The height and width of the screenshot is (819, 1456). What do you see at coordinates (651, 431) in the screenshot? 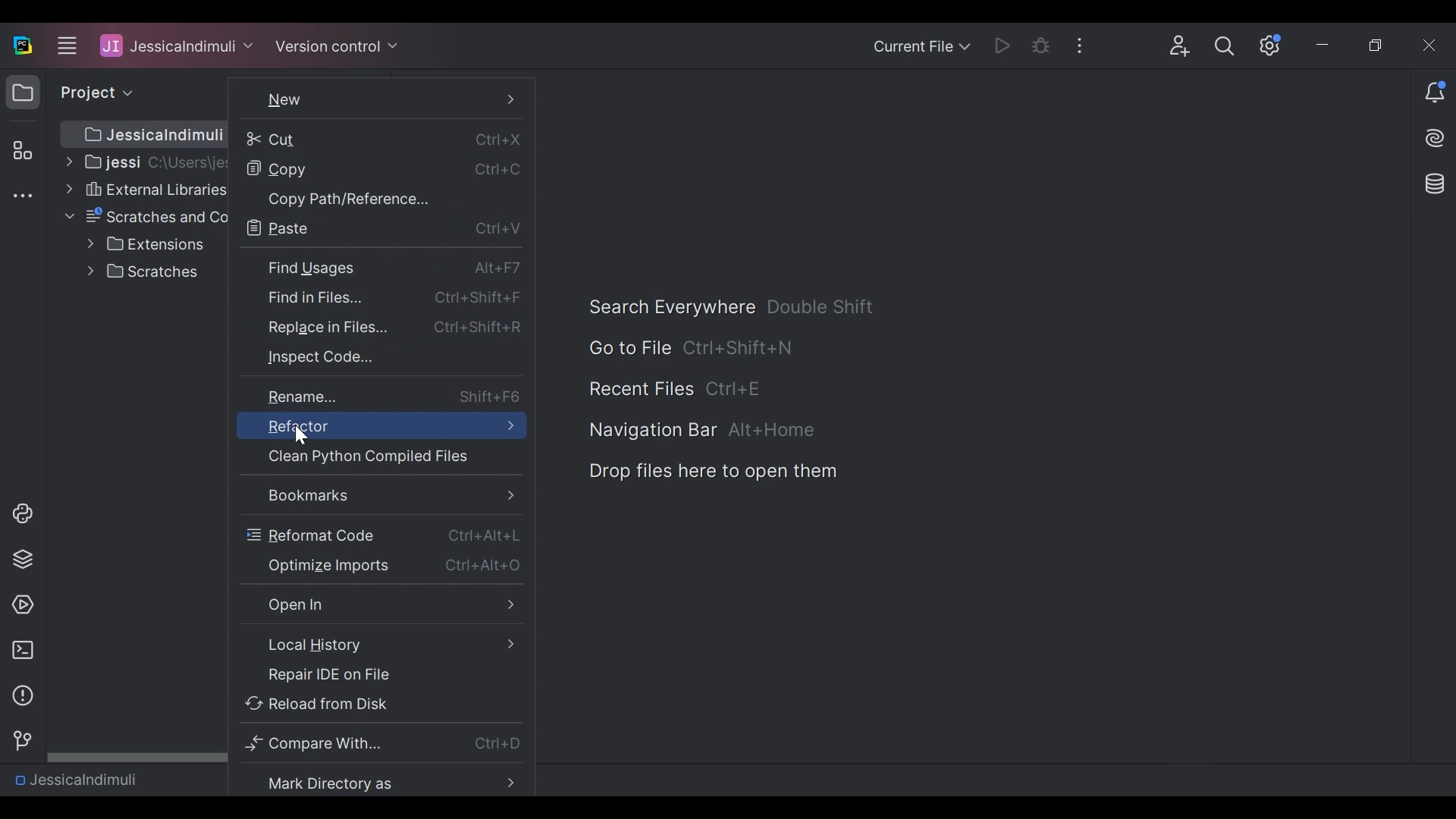
I see `Navigation bar` at bounding box center [651, 431].